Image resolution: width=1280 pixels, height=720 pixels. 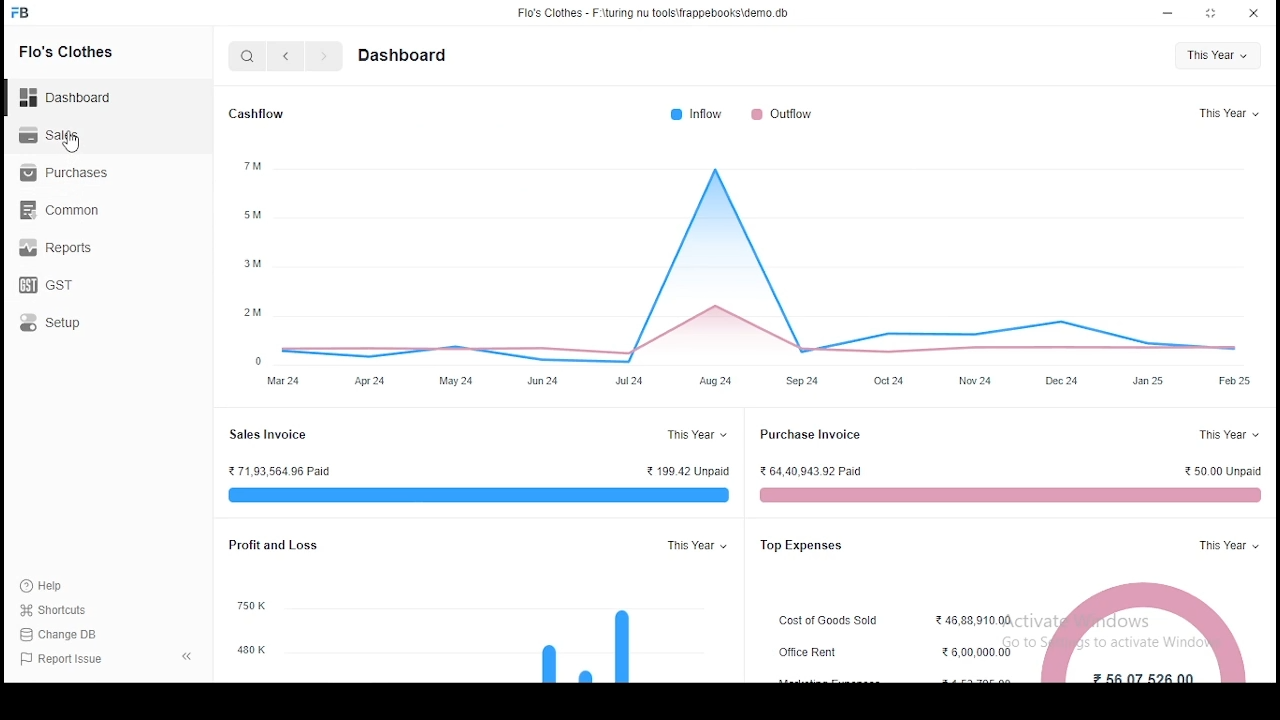 What do you see at coordinates (541, 380) in the screenshot?
I see `Jun 24` at bounding box center [541, 380].